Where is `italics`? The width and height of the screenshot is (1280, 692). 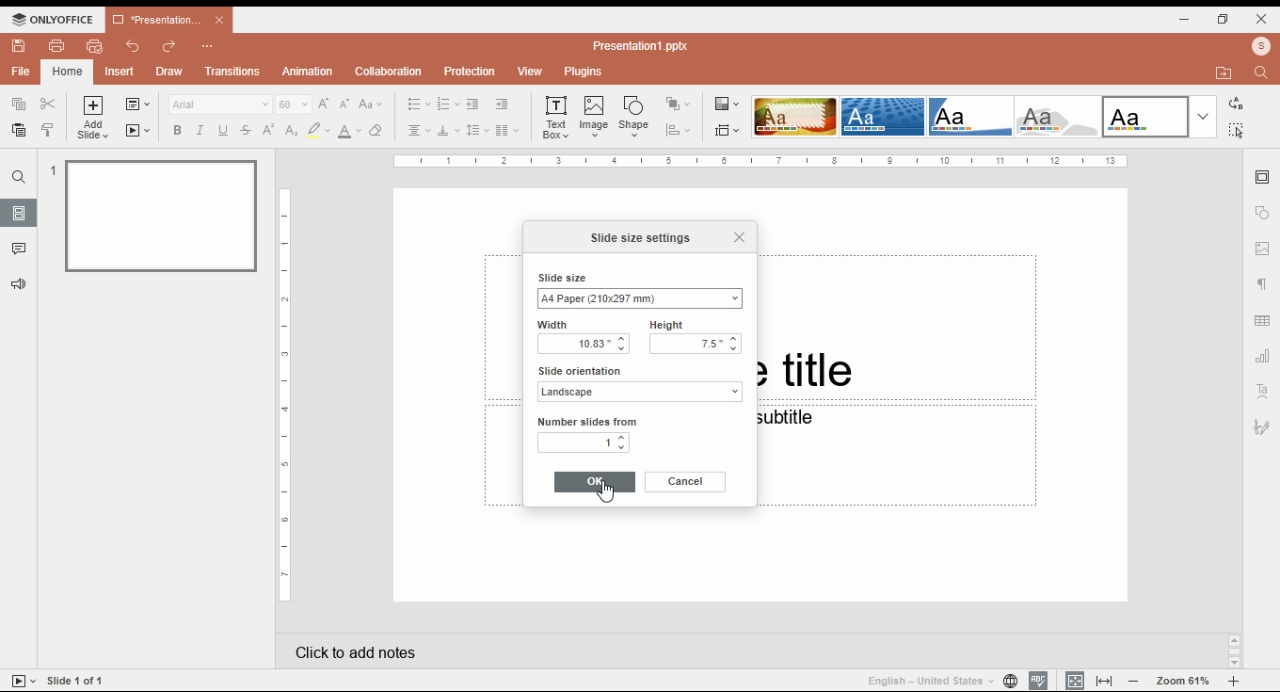 italics is located at coordinates (198, 130).